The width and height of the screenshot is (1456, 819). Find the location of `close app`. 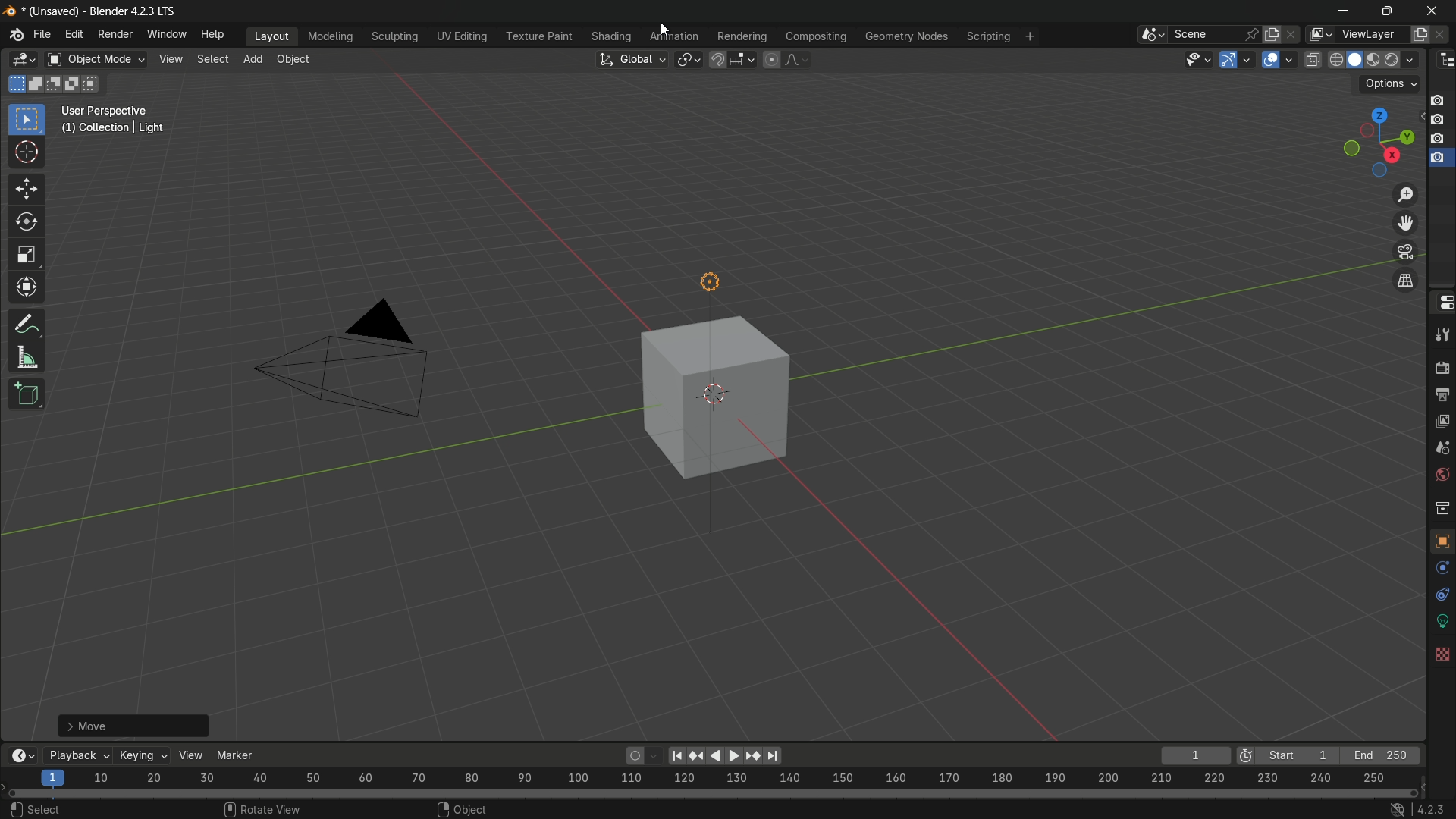

close app is located at coordinates (1427, 14).